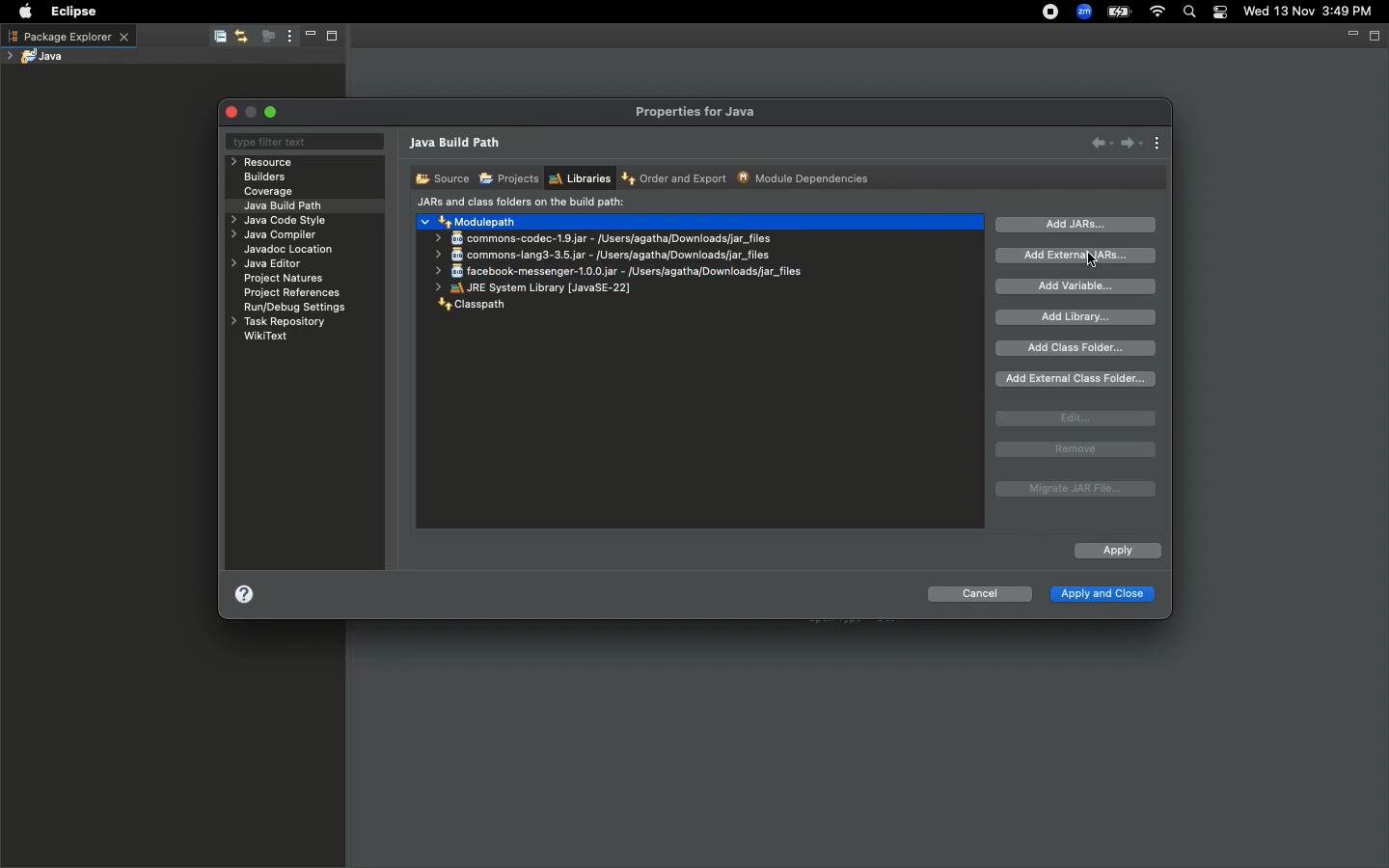 This screenshot has width=1389, height=868. Describe the element at coordinates (1080, 286) in the screenshot. I see `Add variable` at that location.